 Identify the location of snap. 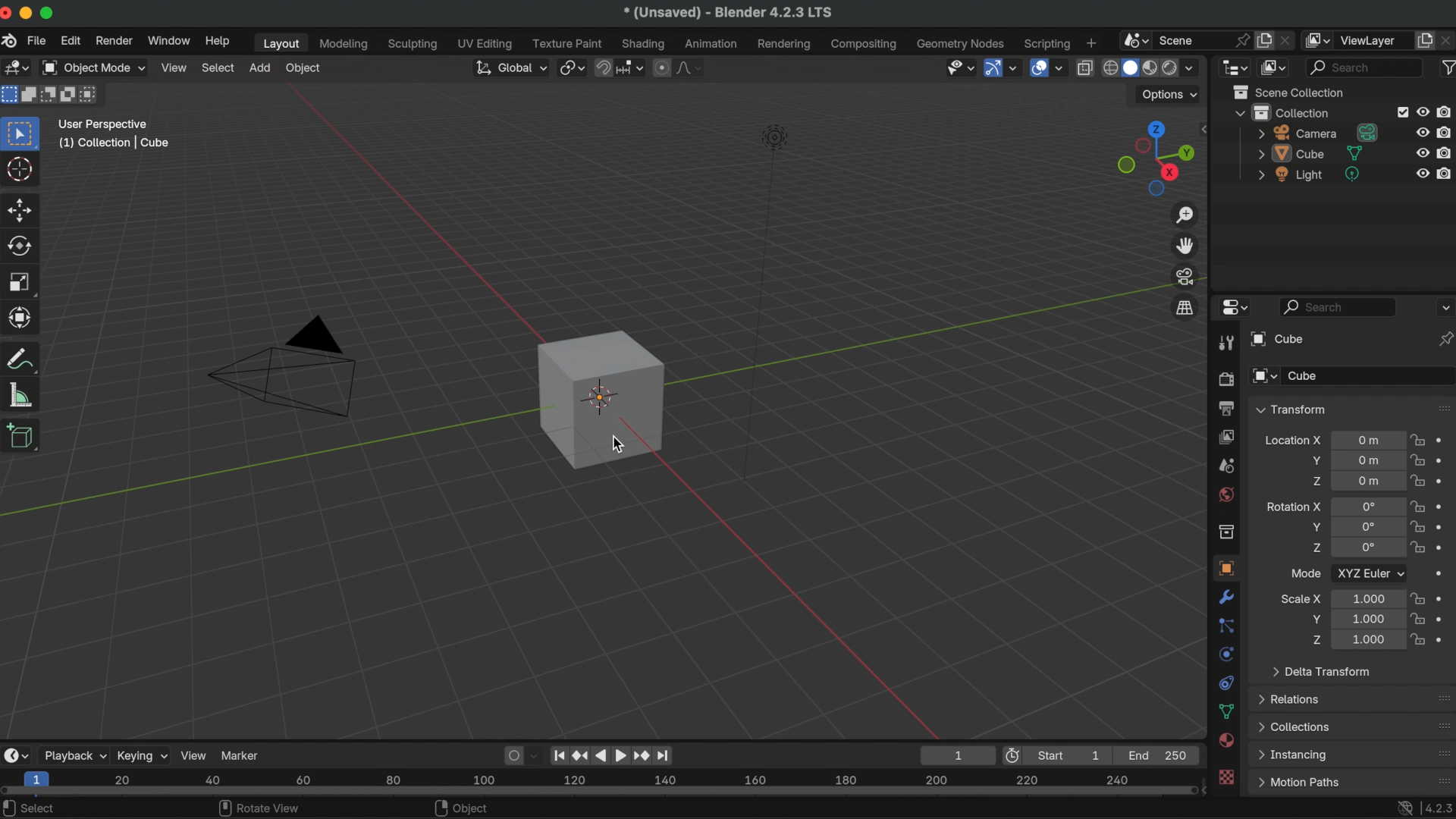
(604, 66).